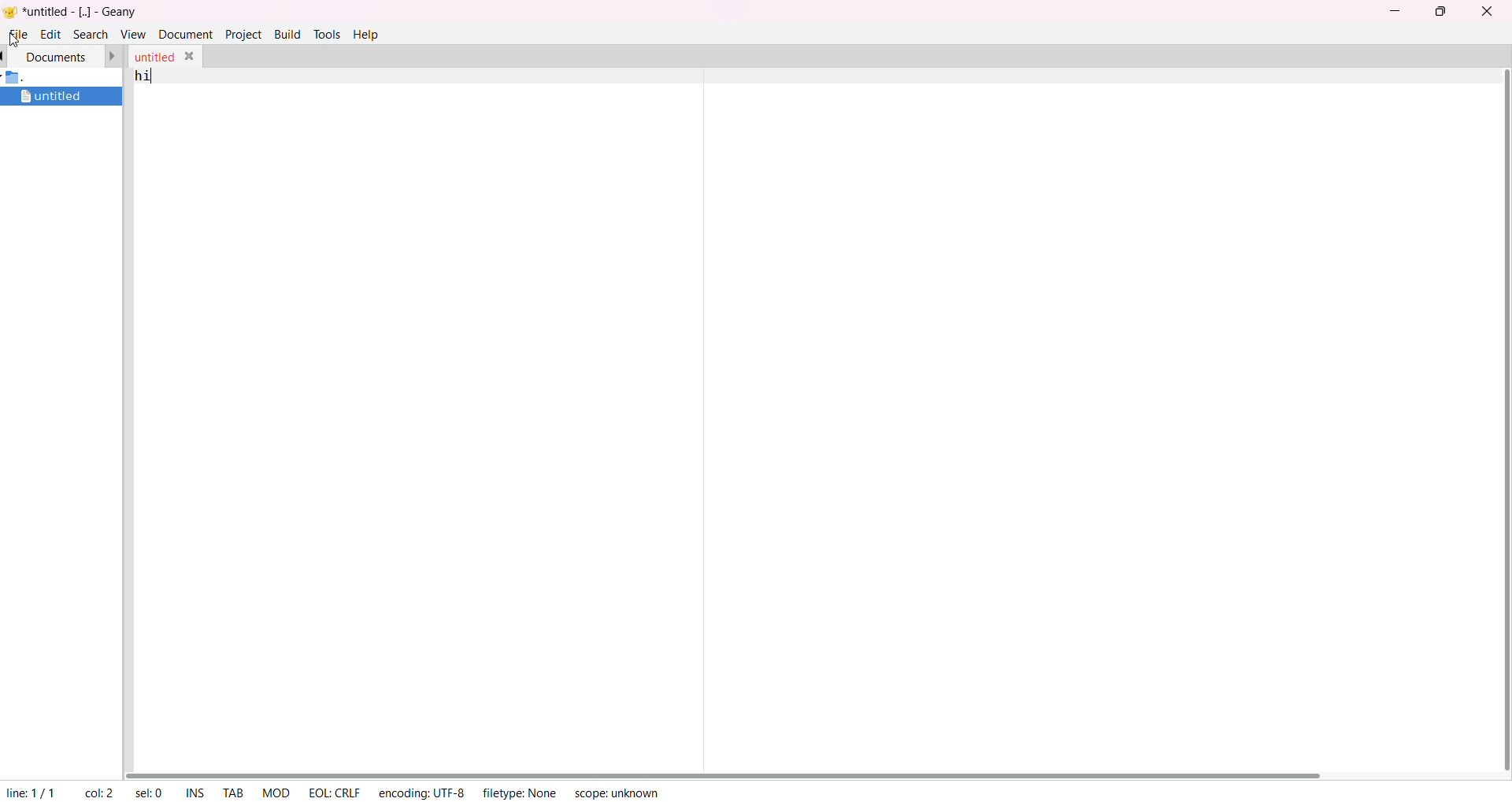  What do you see at coordinates (198, 793) in the screenshot?
I see `ins` at bounding box center [198, 793].